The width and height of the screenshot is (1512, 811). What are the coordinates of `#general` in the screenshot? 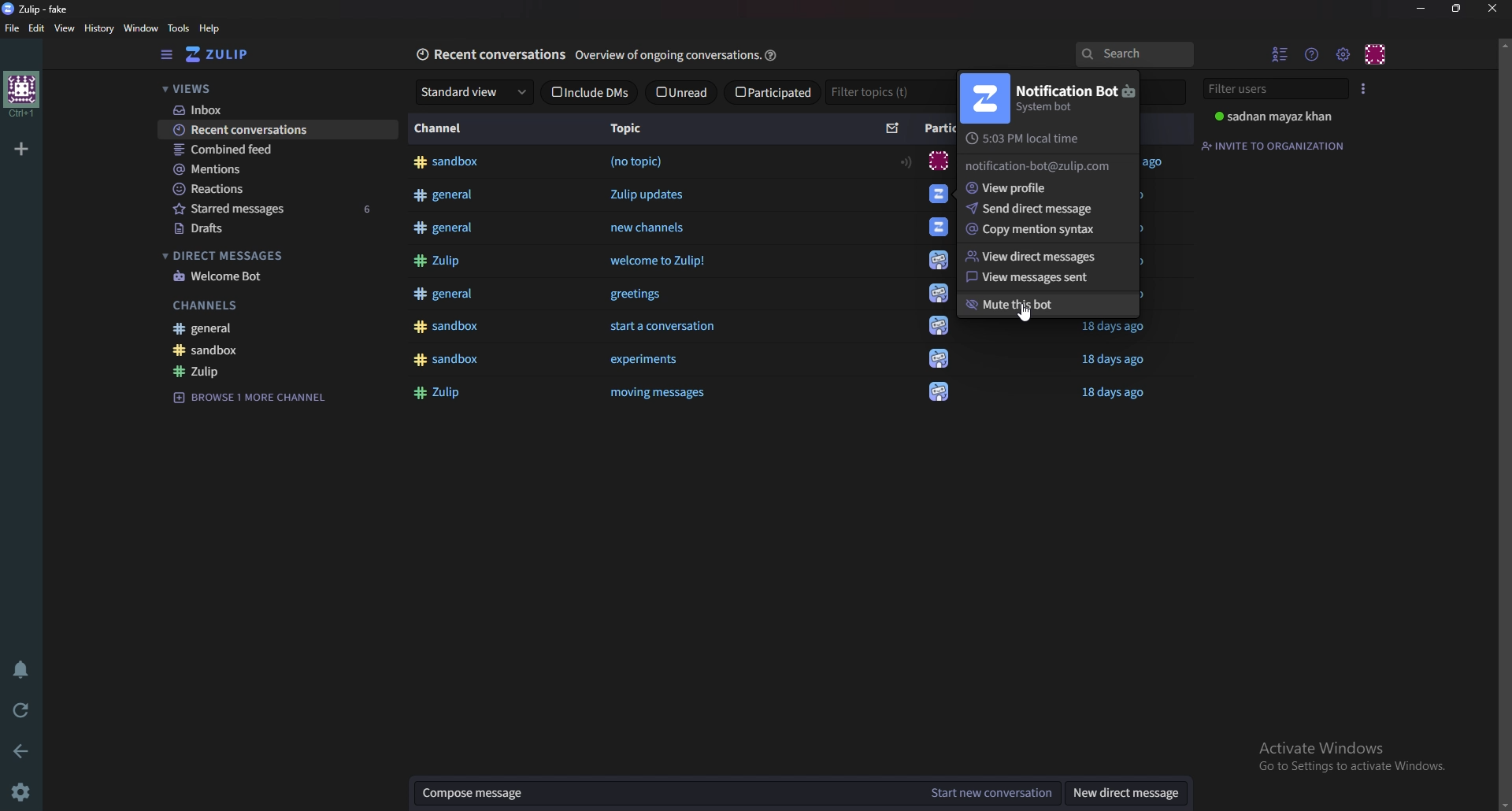 It's located at (448, 228).